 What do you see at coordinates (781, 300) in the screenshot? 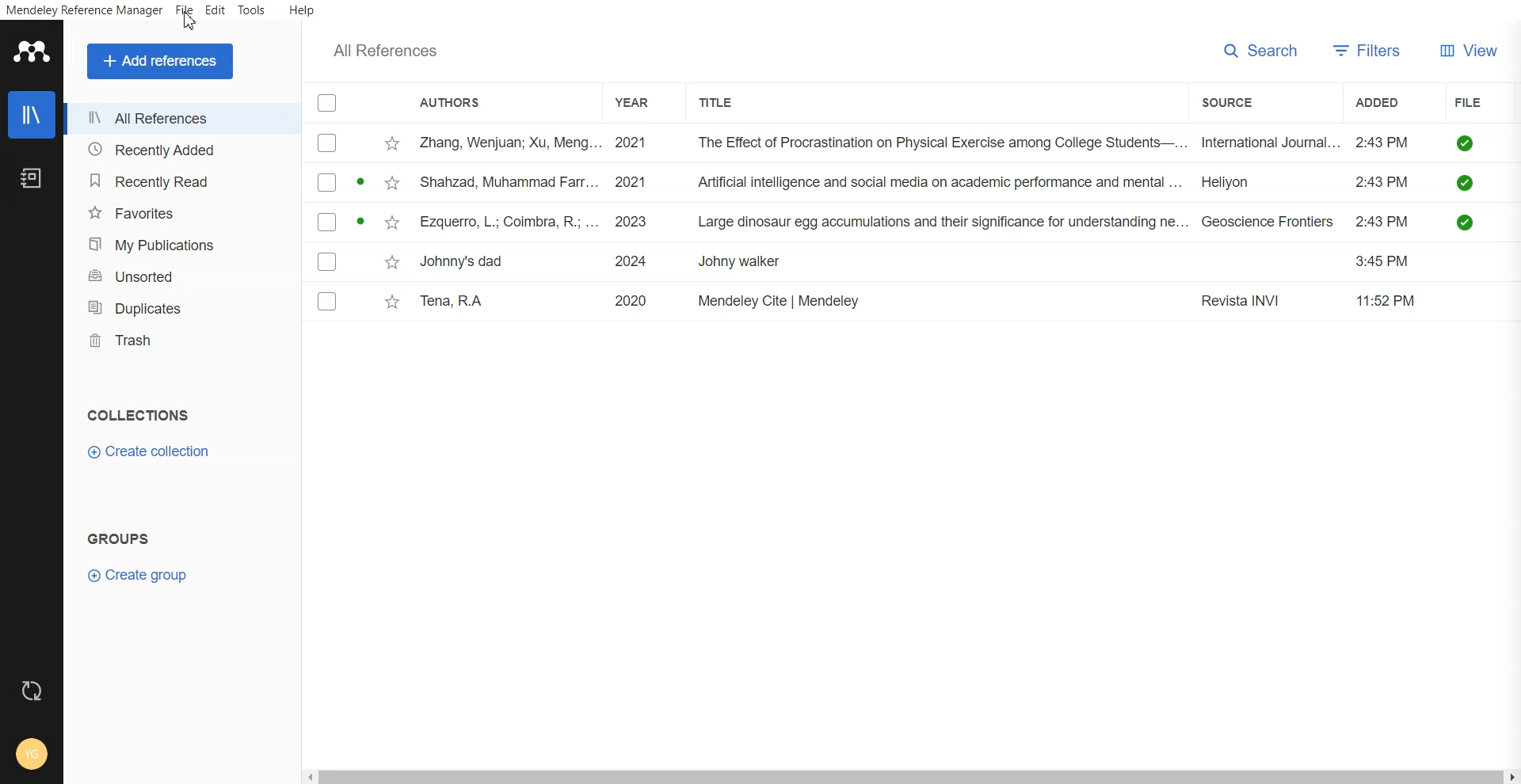
I see `Mendeley Cite | Mendeley` at bounding box center [781, 300].